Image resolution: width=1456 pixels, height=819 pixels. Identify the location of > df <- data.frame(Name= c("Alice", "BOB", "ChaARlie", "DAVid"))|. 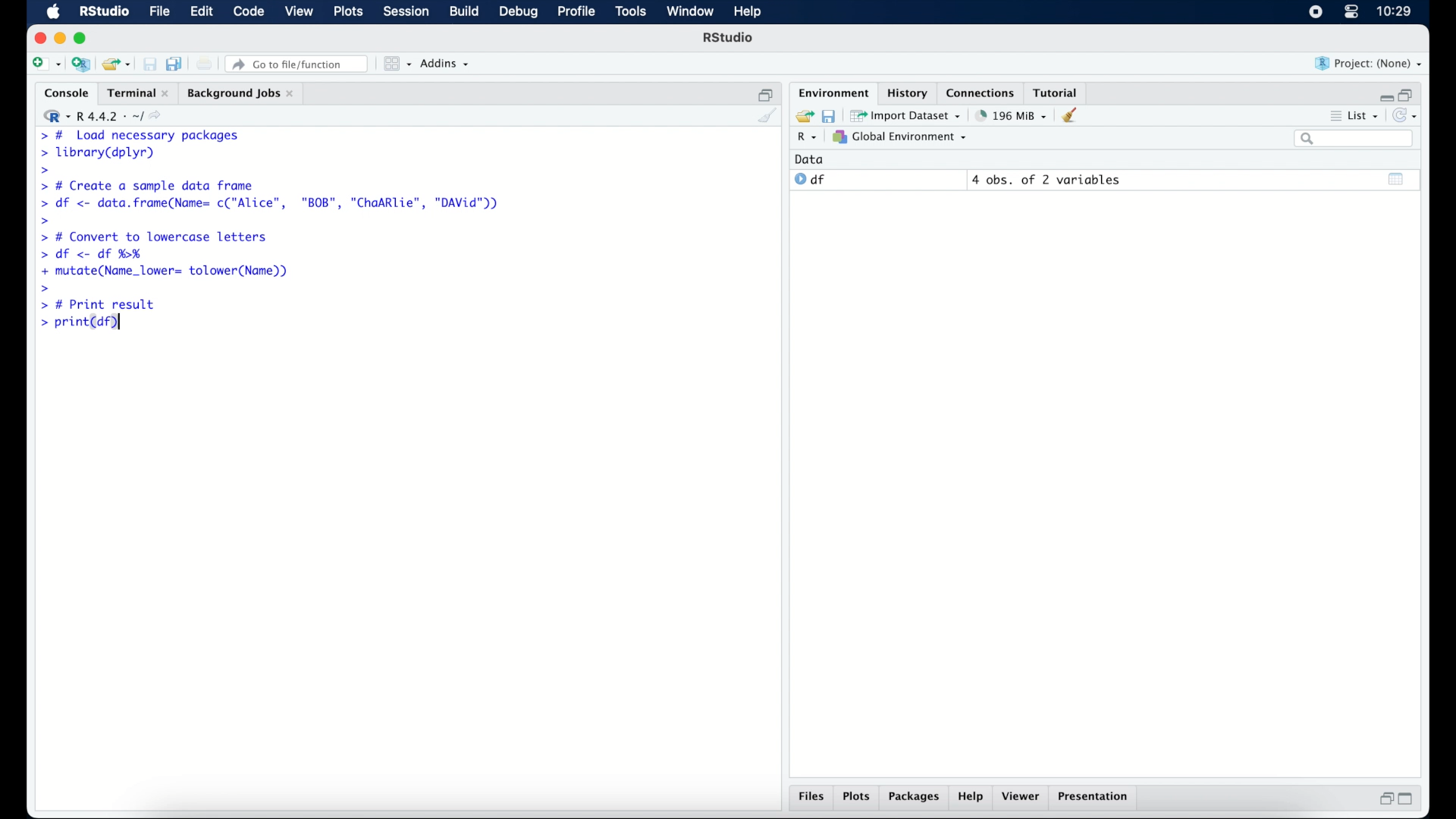
(274, 204).